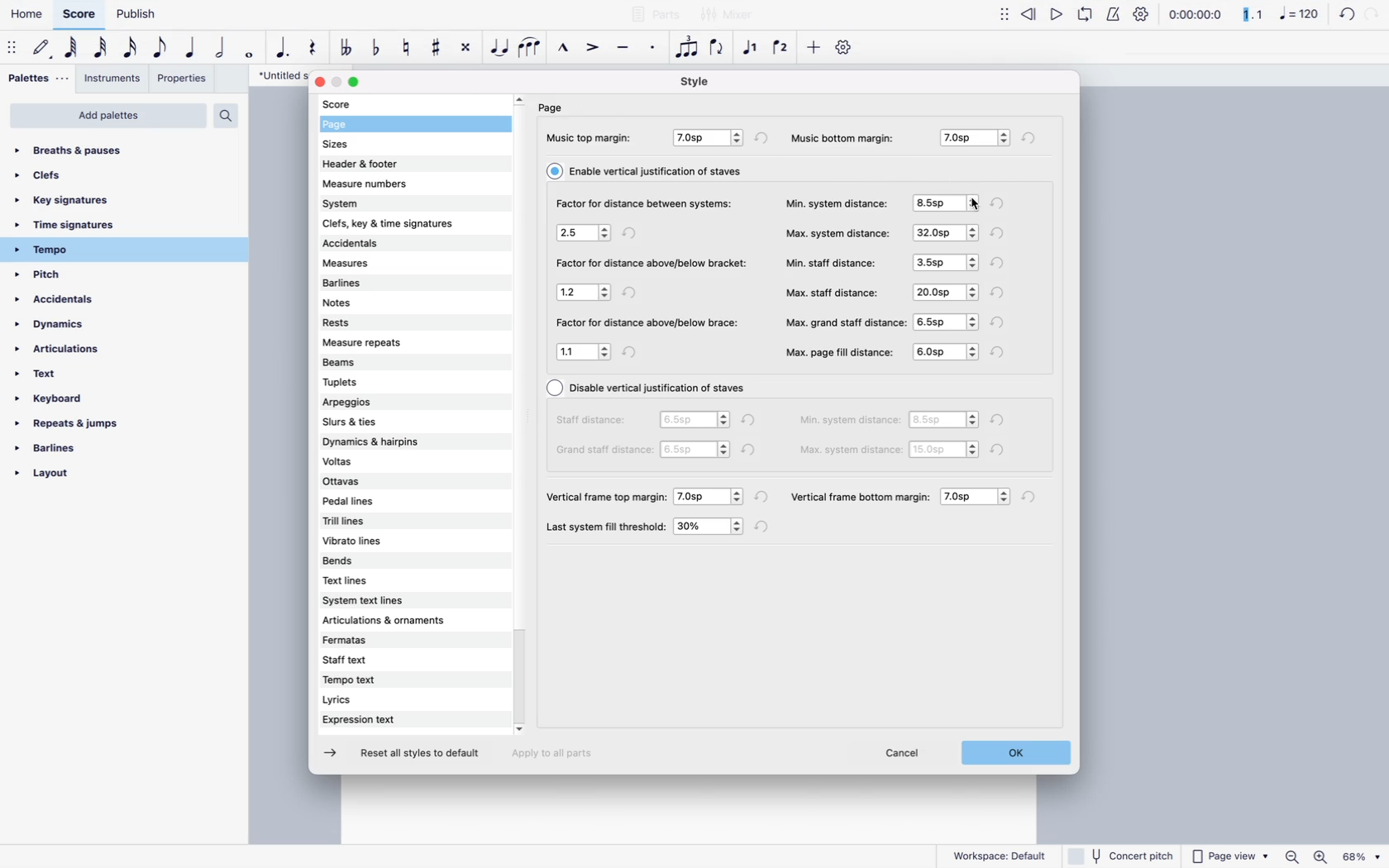 Image resolution: width=1389 pixels, height=868 pixels. I want to click on concert pitch, so click(1122, 855).